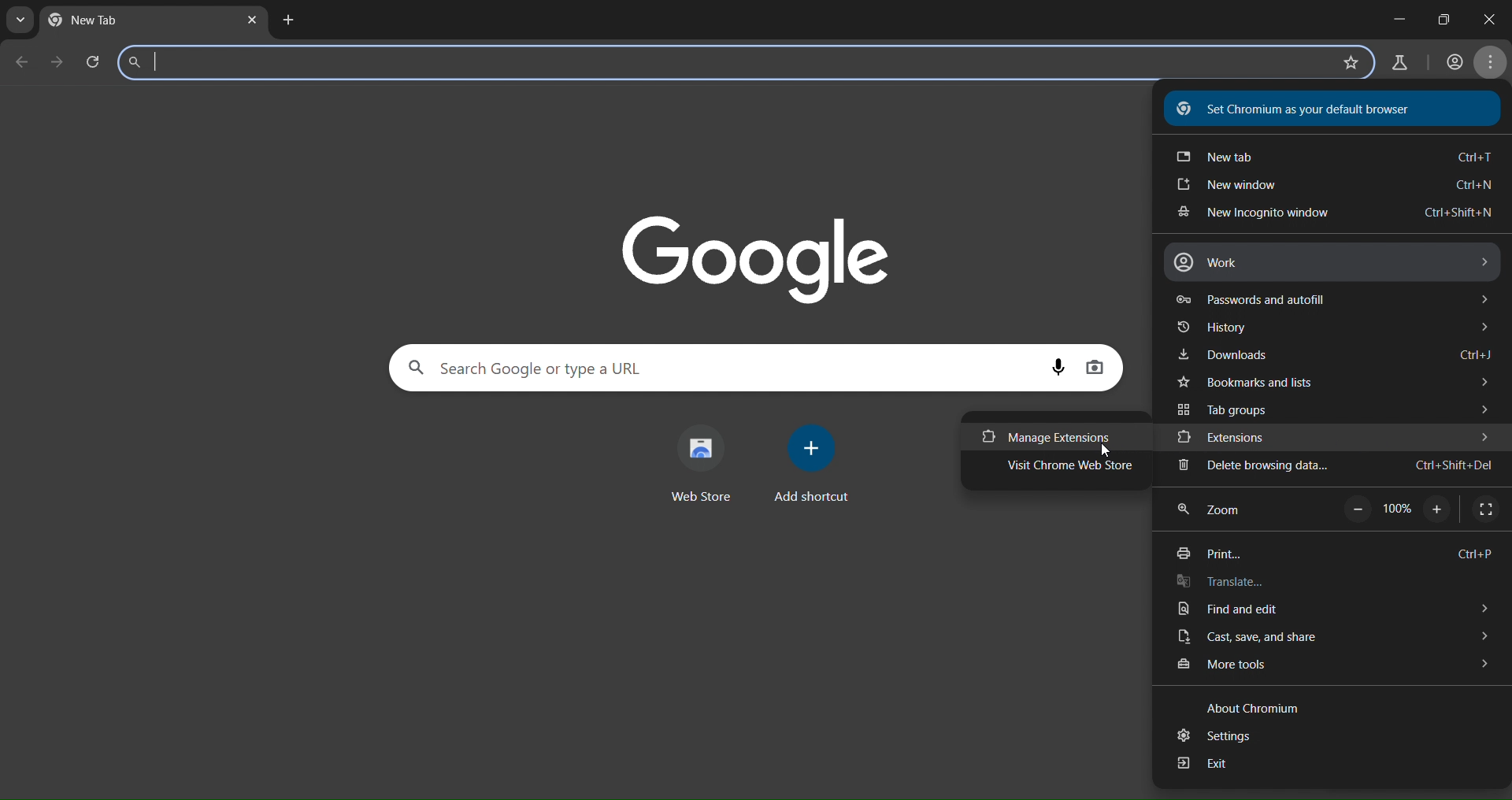 This screenshot has height=800, width=1512. I want to click on exit, so click(1219, 768).